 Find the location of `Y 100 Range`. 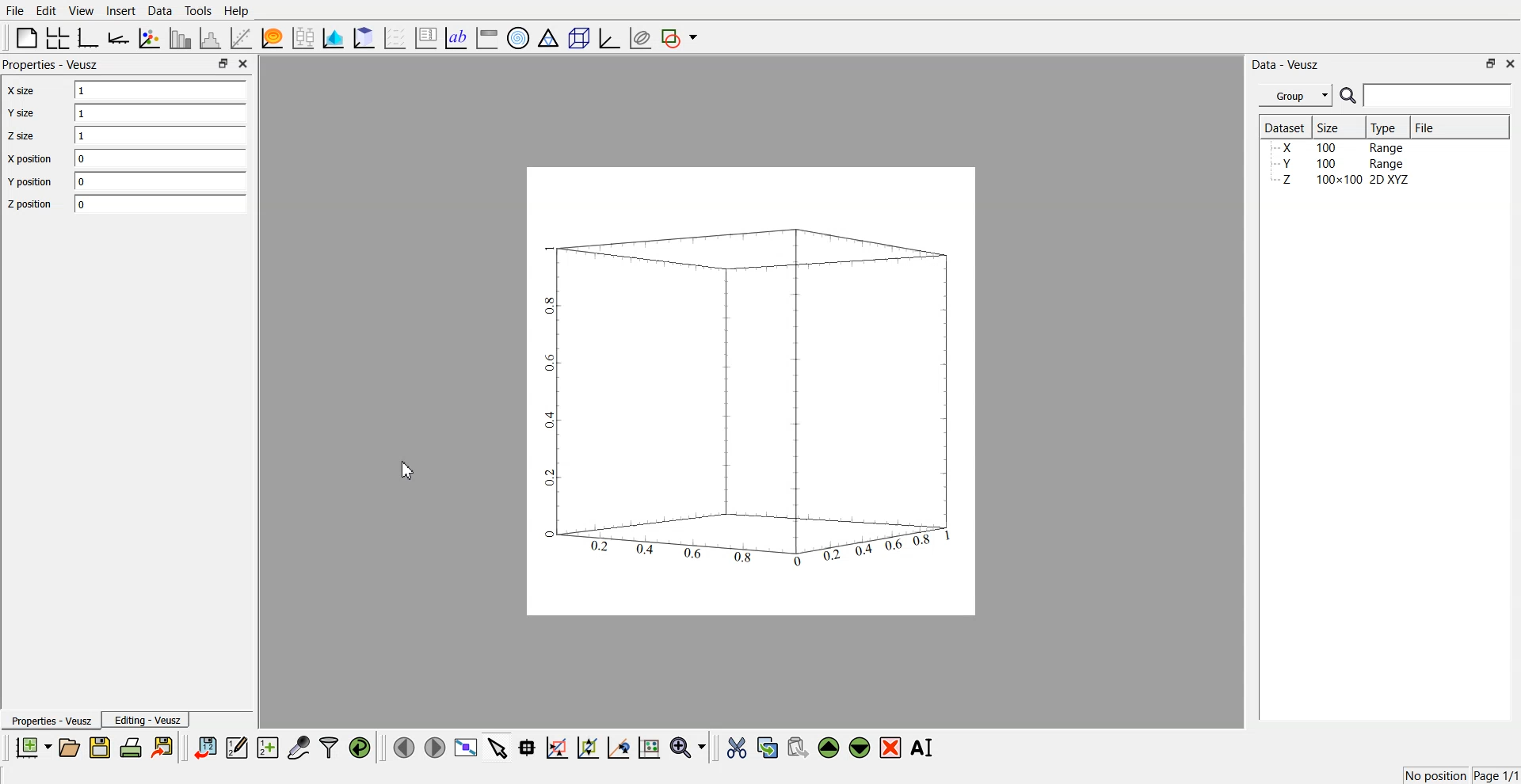

Y 100 Range is located at coordinates (1341, 164).